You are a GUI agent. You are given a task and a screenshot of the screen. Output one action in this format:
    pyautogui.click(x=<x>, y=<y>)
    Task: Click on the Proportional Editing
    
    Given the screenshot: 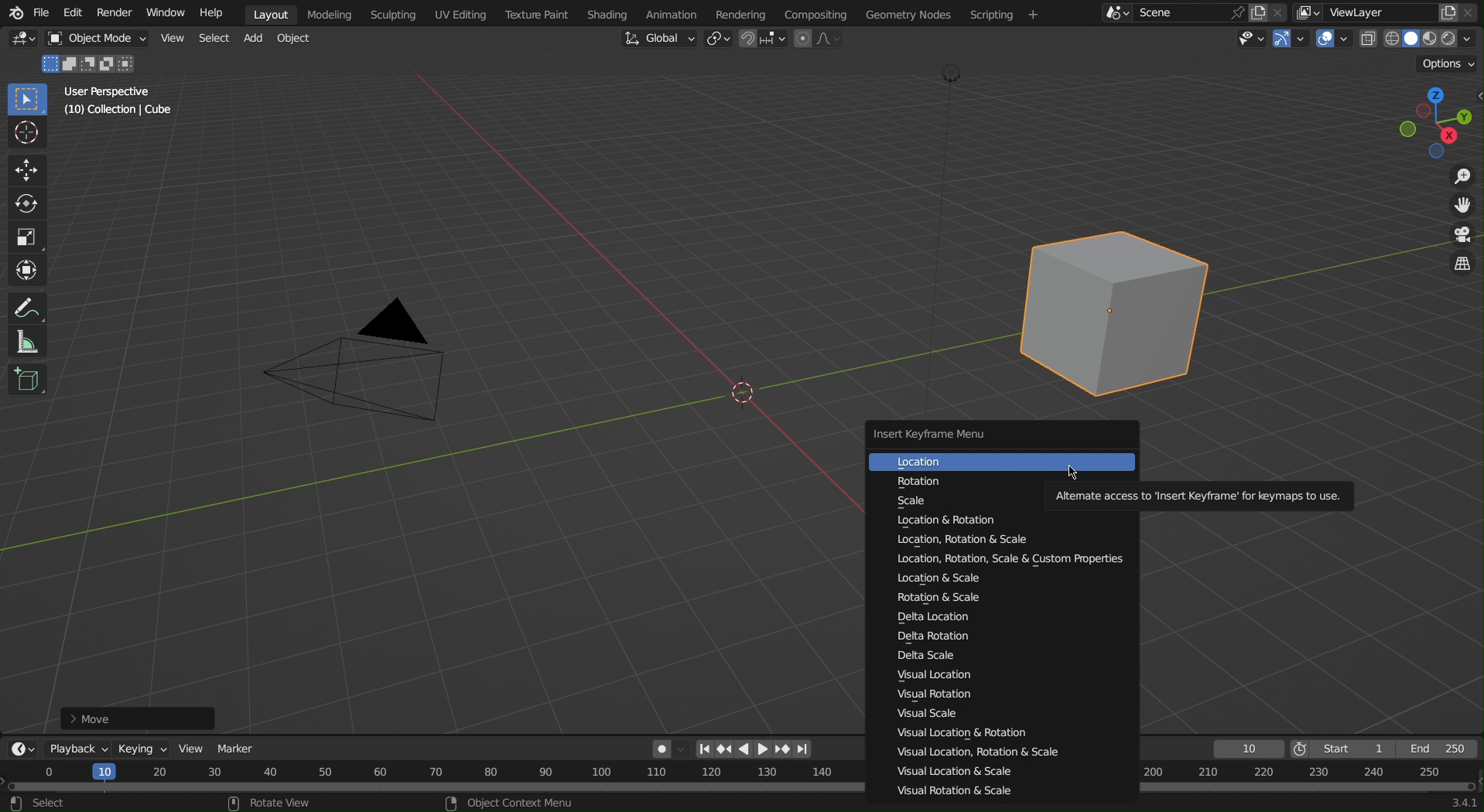 What is the action you would take?
    pyautogui.click(x=819, y=39)
    